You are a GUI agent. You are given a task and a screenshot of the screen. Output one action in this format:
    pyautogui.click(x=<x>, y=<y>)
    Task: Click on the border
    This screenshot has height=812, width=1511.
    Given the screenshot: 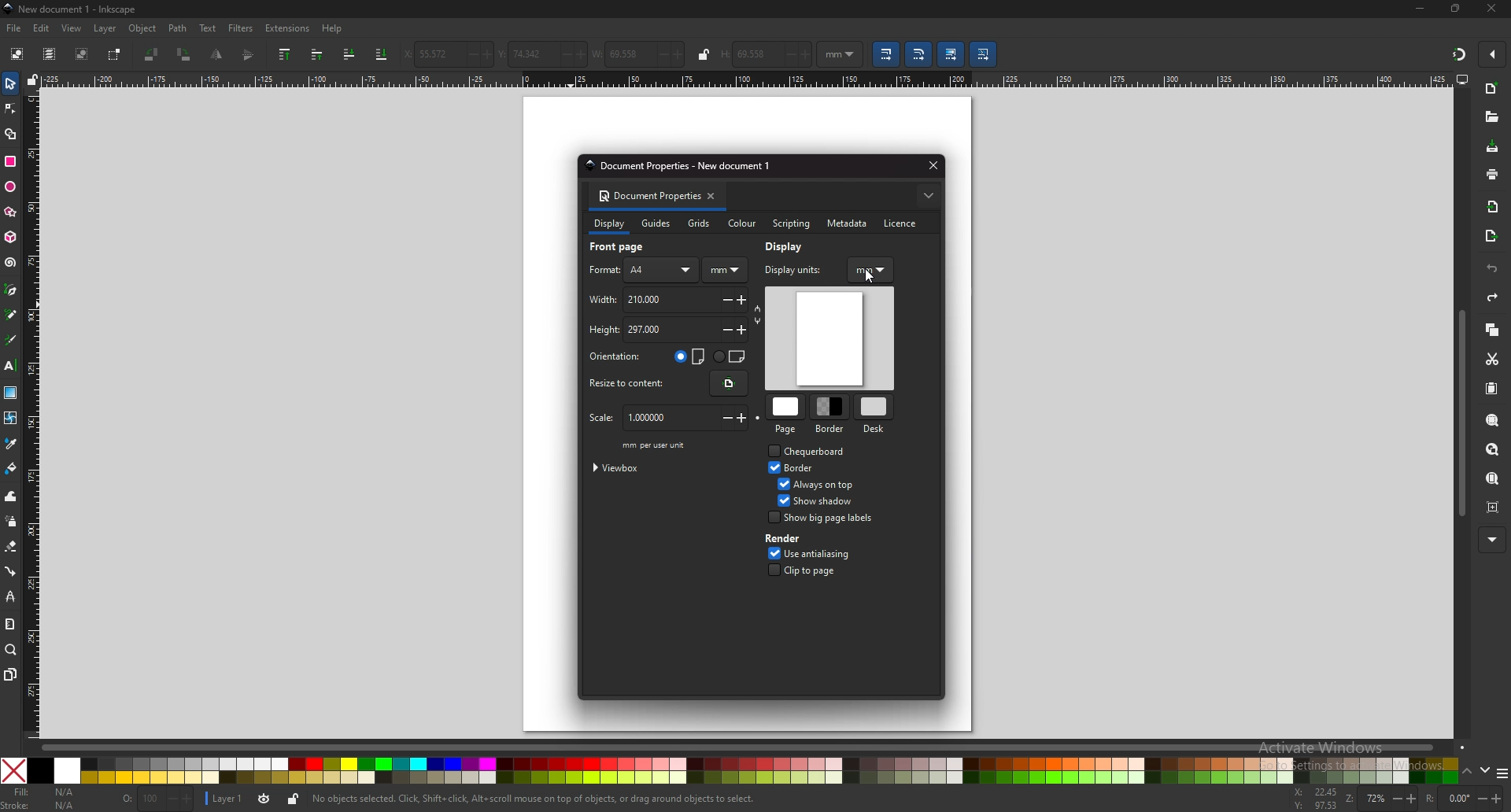 What is the action you would take?
    pyautogui.click(x=832, y=415)
    